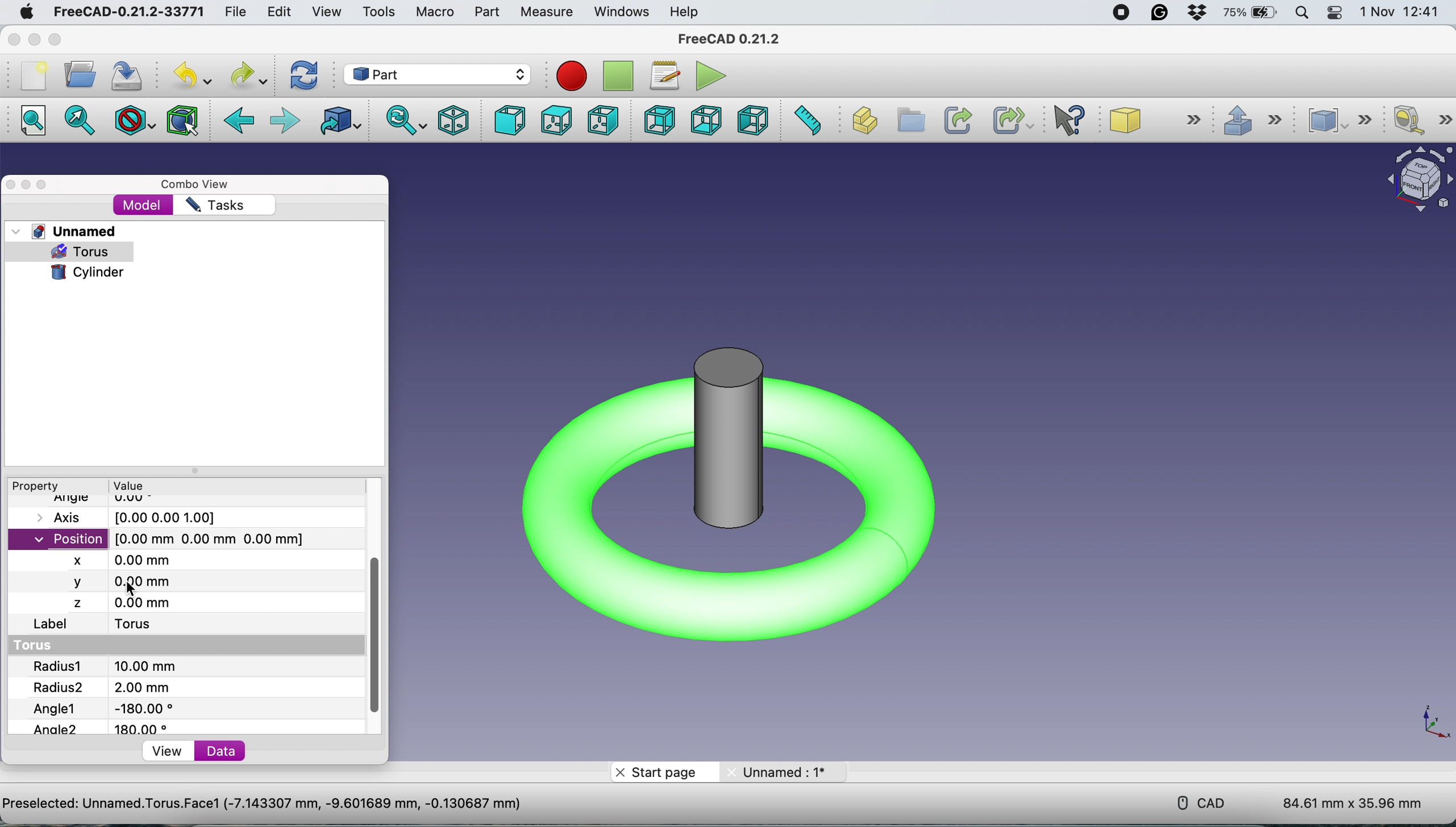 The width and height of the screenshot is (1456, 827). What do you see at coordinates (77, 75) in the screenshot?
I see `open` at bounding box center [77, 75].